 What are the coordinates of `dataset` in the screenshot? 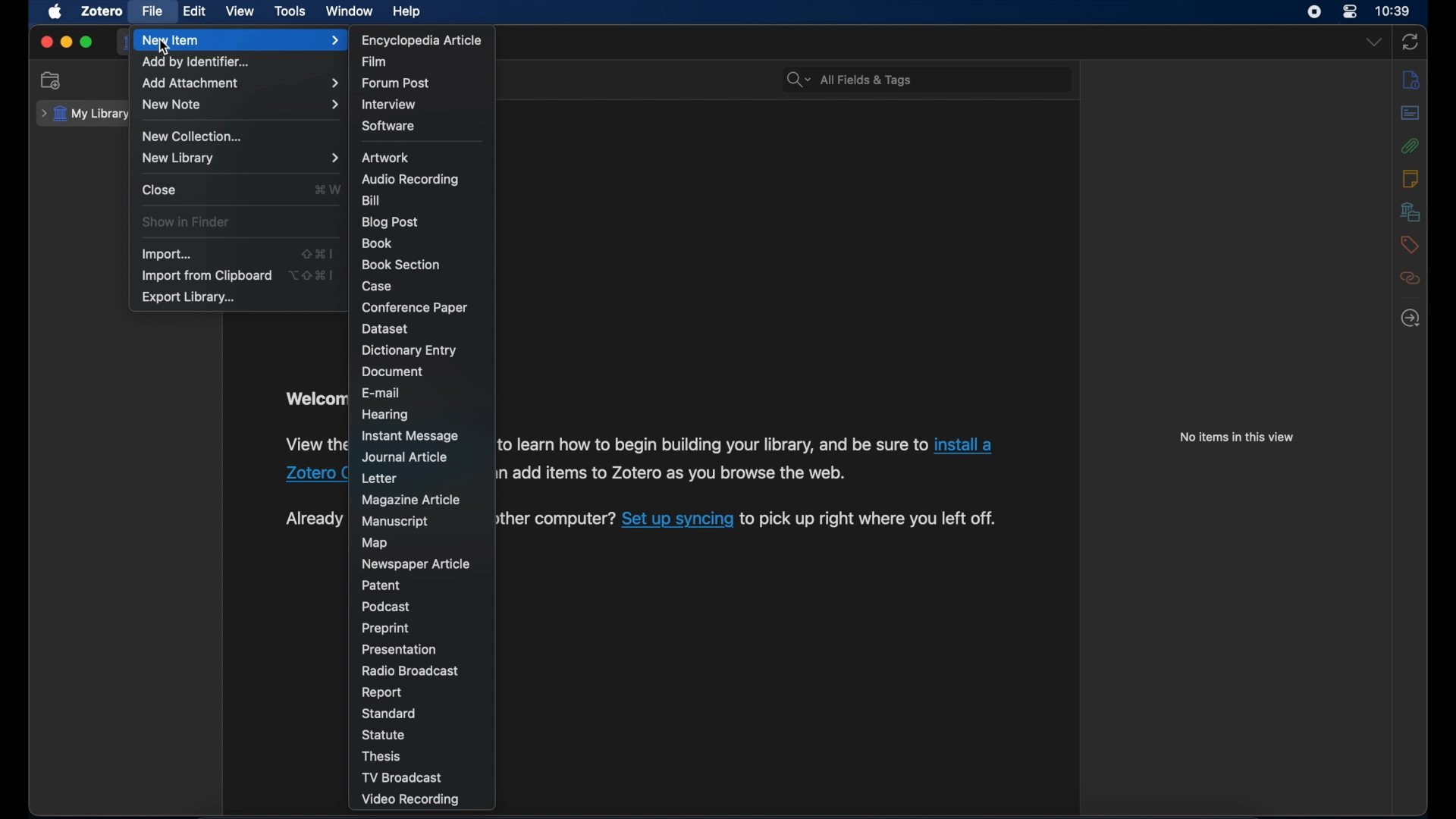 It's located at (386, 328).